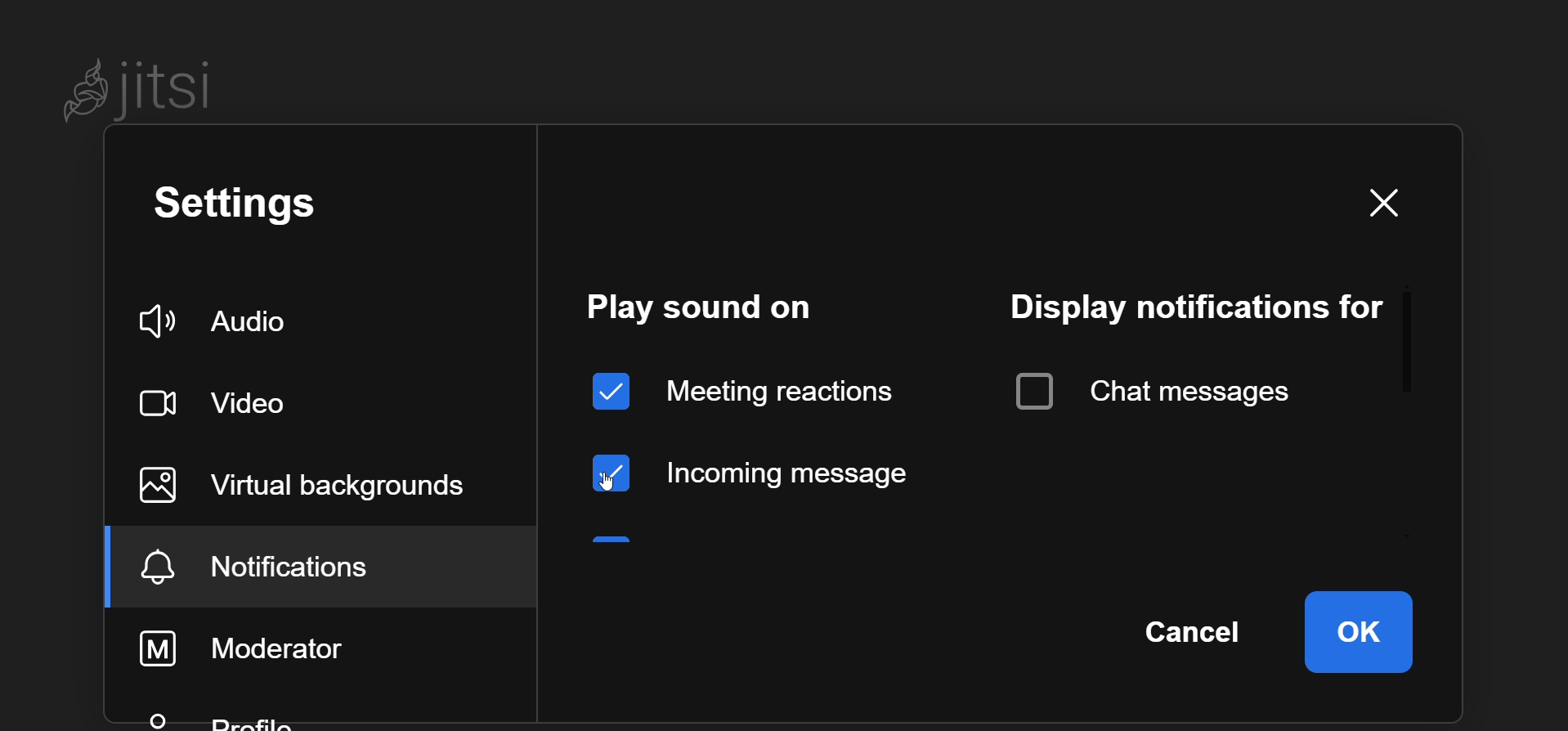 The width and height of the screenshot is (1568, 731). Describe the element at coordinates (147, 86) in the screenshot. I see `Jitsi` at that location.